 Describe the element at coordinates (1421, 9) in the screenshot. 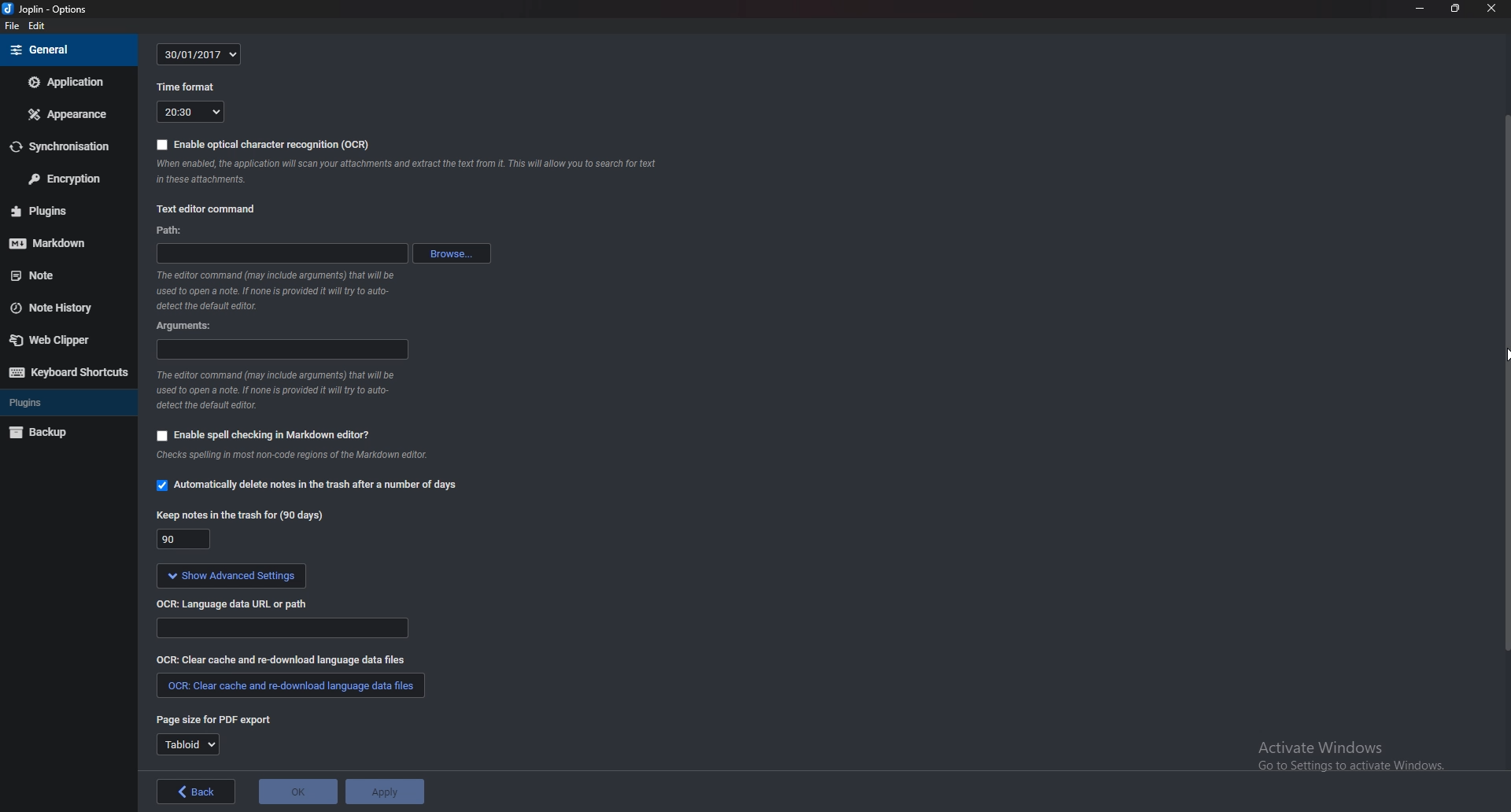

I see `Minimize` at that location.